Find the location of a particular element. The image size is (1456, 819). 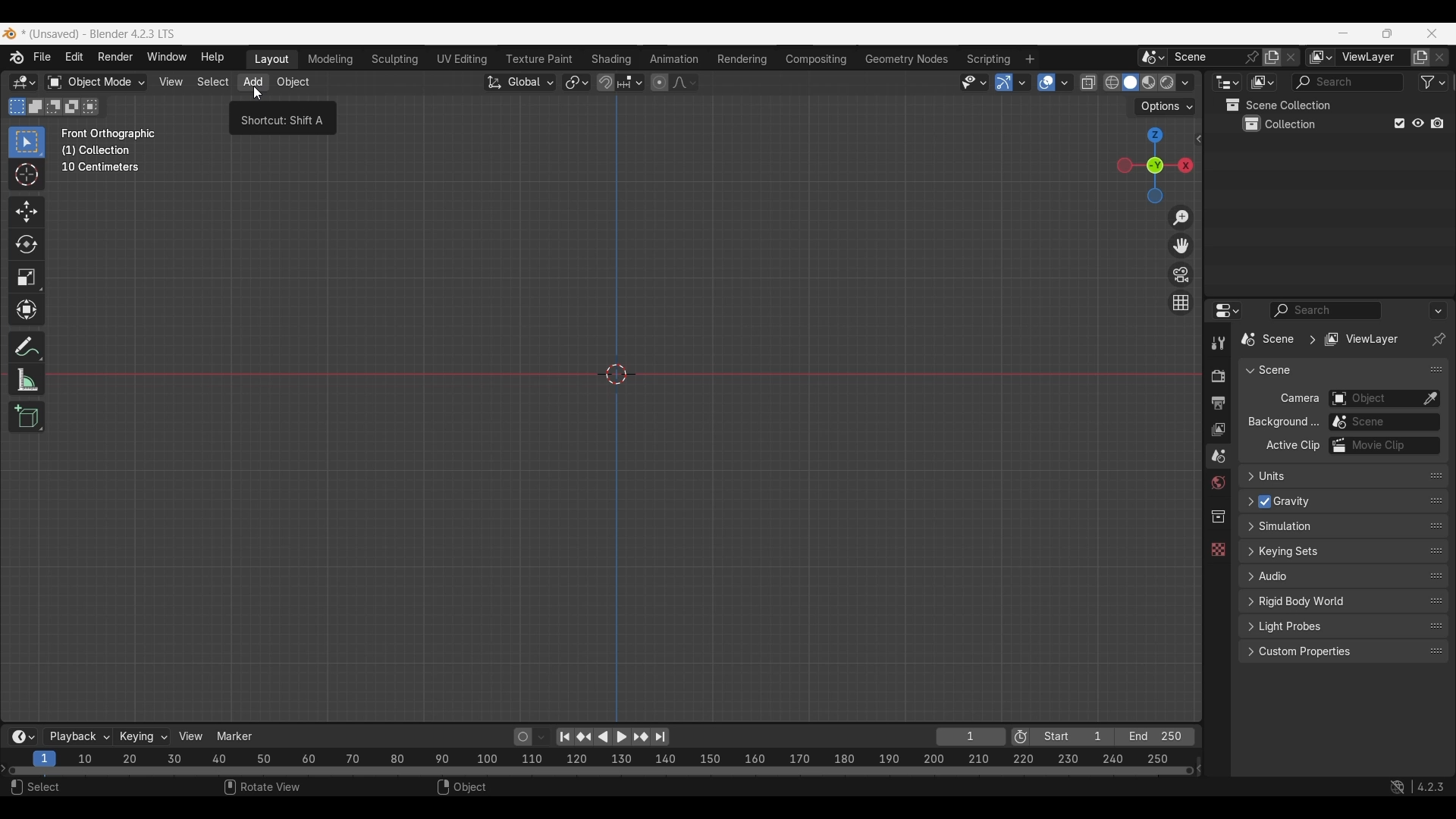

Scripting workspace is located at coordinates (987, 58).